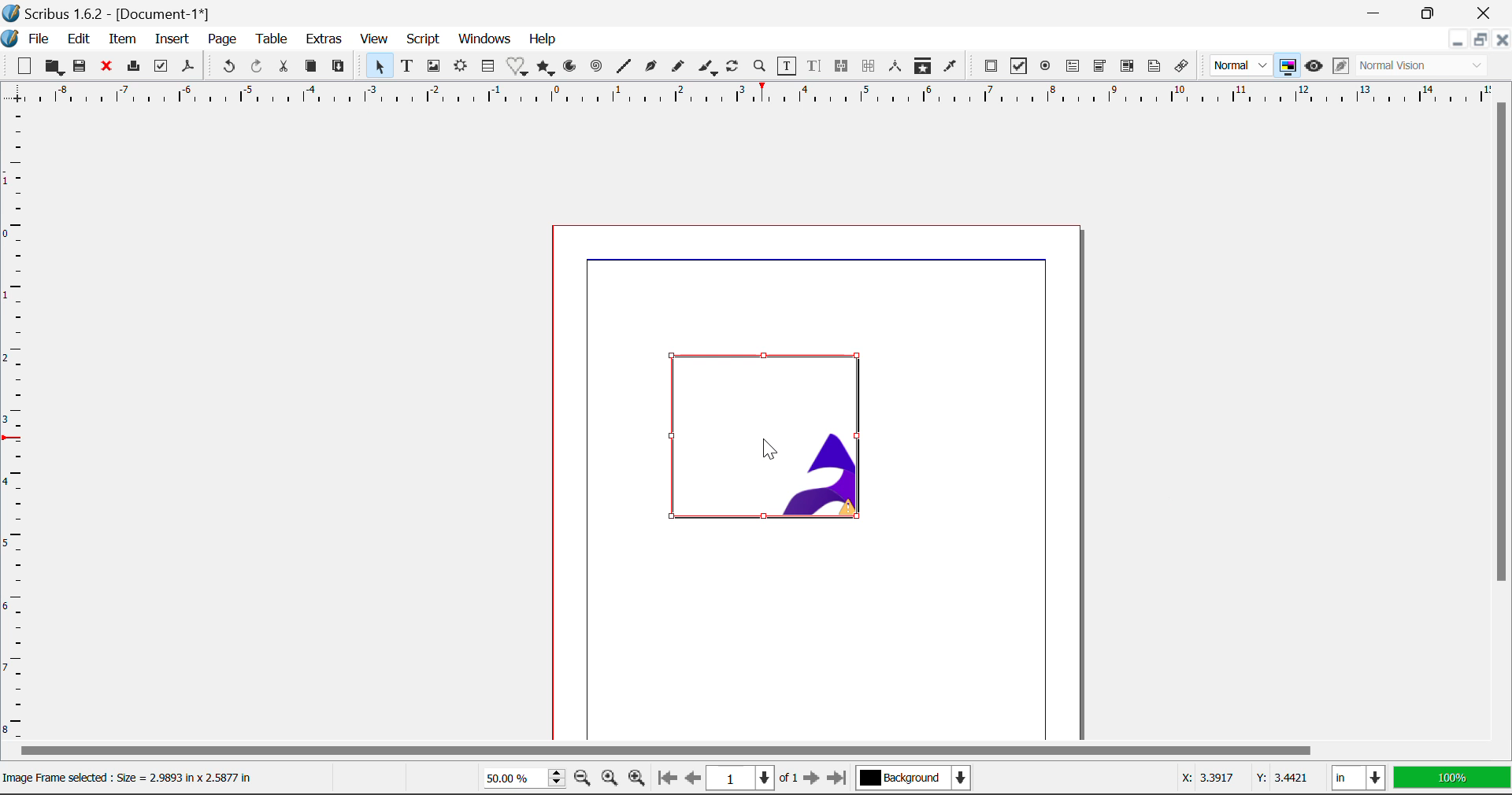 Image resolution: width=1512 pixels, height=795 pixels. Describe the element at coordinates (407, 66) in the screenshot. I see `Text Frame` at that location.